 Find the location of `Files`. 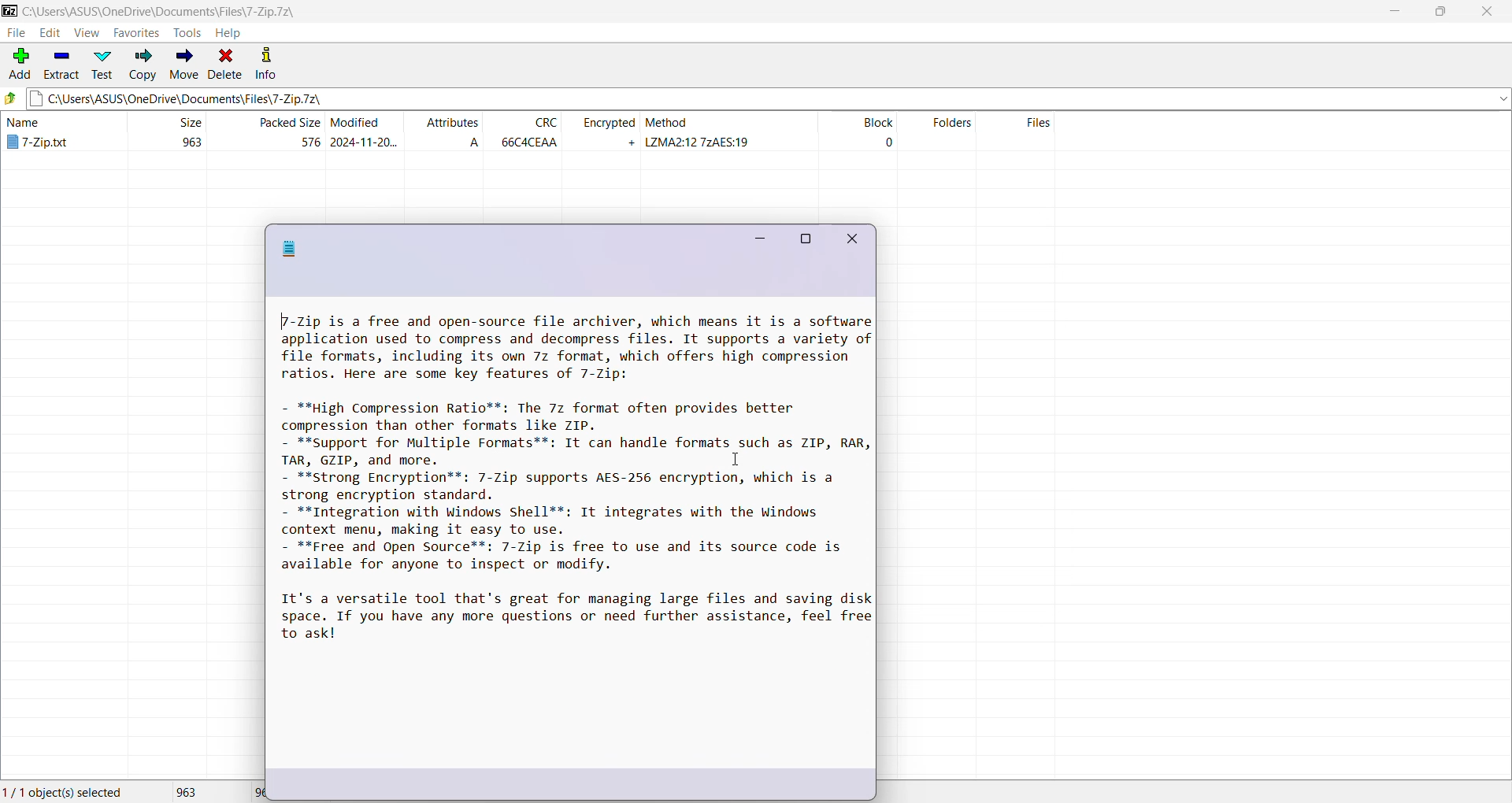

Files is located at coordinates (1031, 133).